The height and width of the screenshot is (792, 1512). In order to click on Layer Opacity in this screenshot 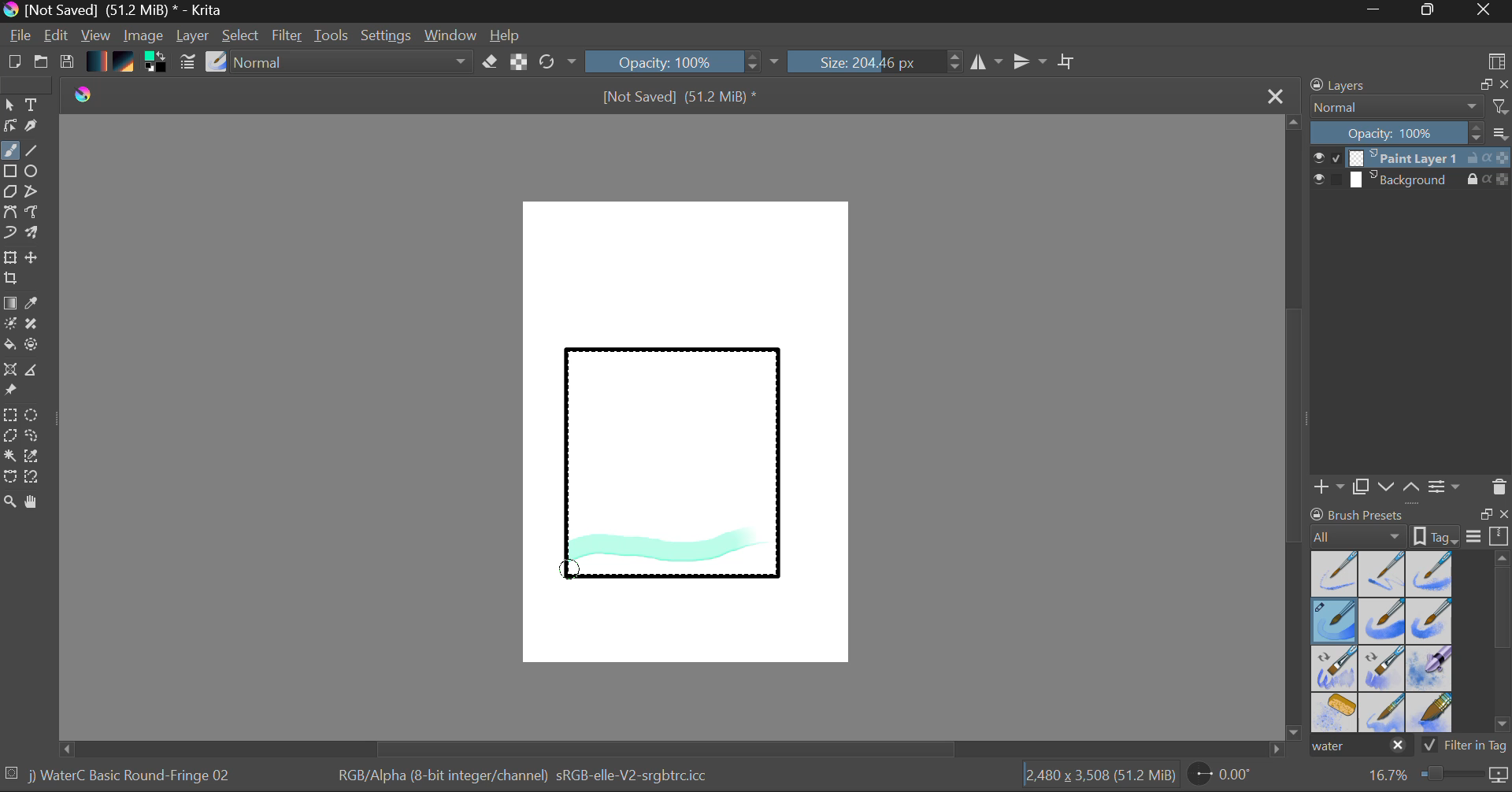, I will do `click(1412, 134)`.